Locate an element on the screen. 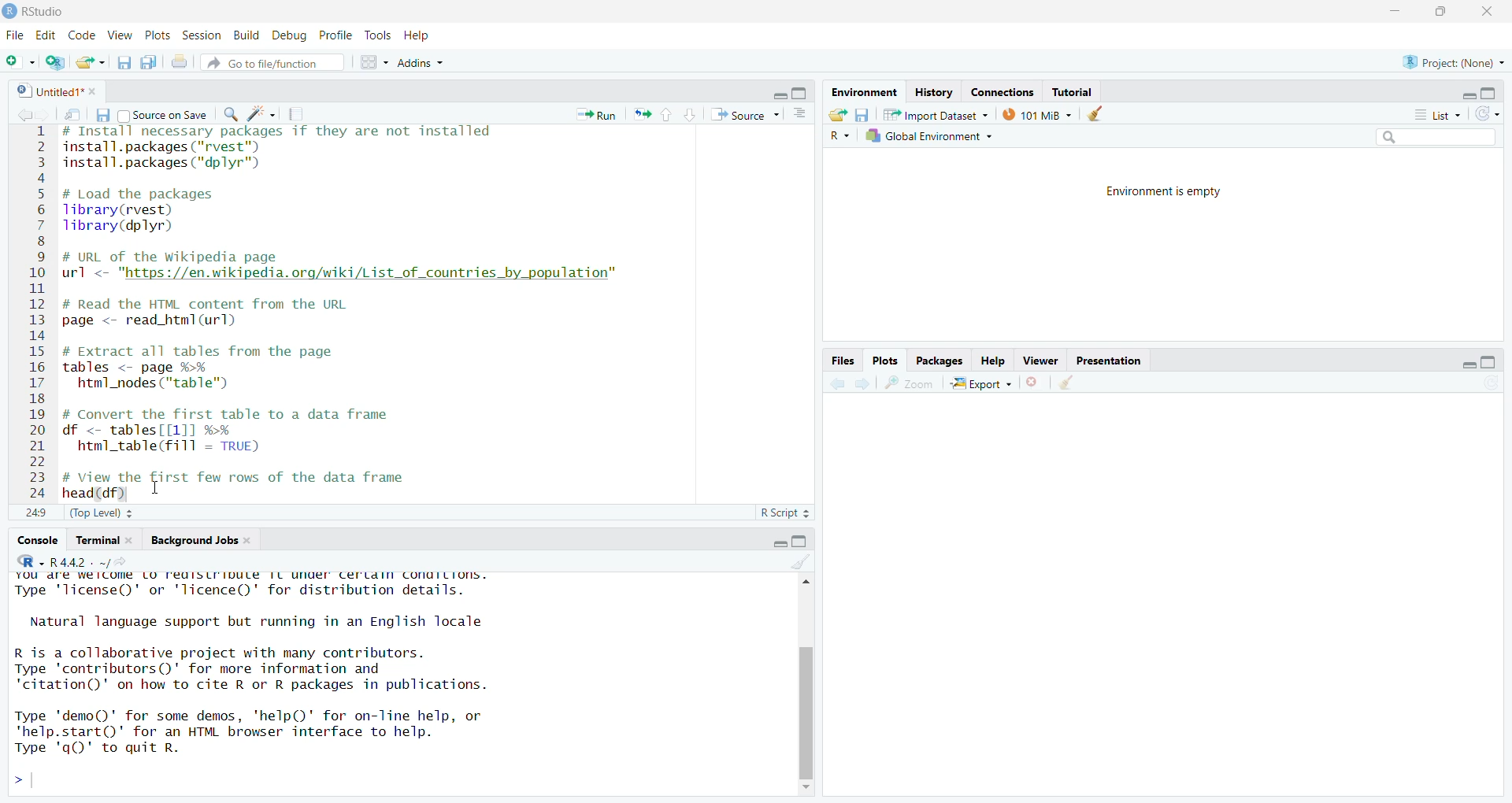 The width and height of the screenshot is (1512, 803). rerun is located at coordinates (642, 114).